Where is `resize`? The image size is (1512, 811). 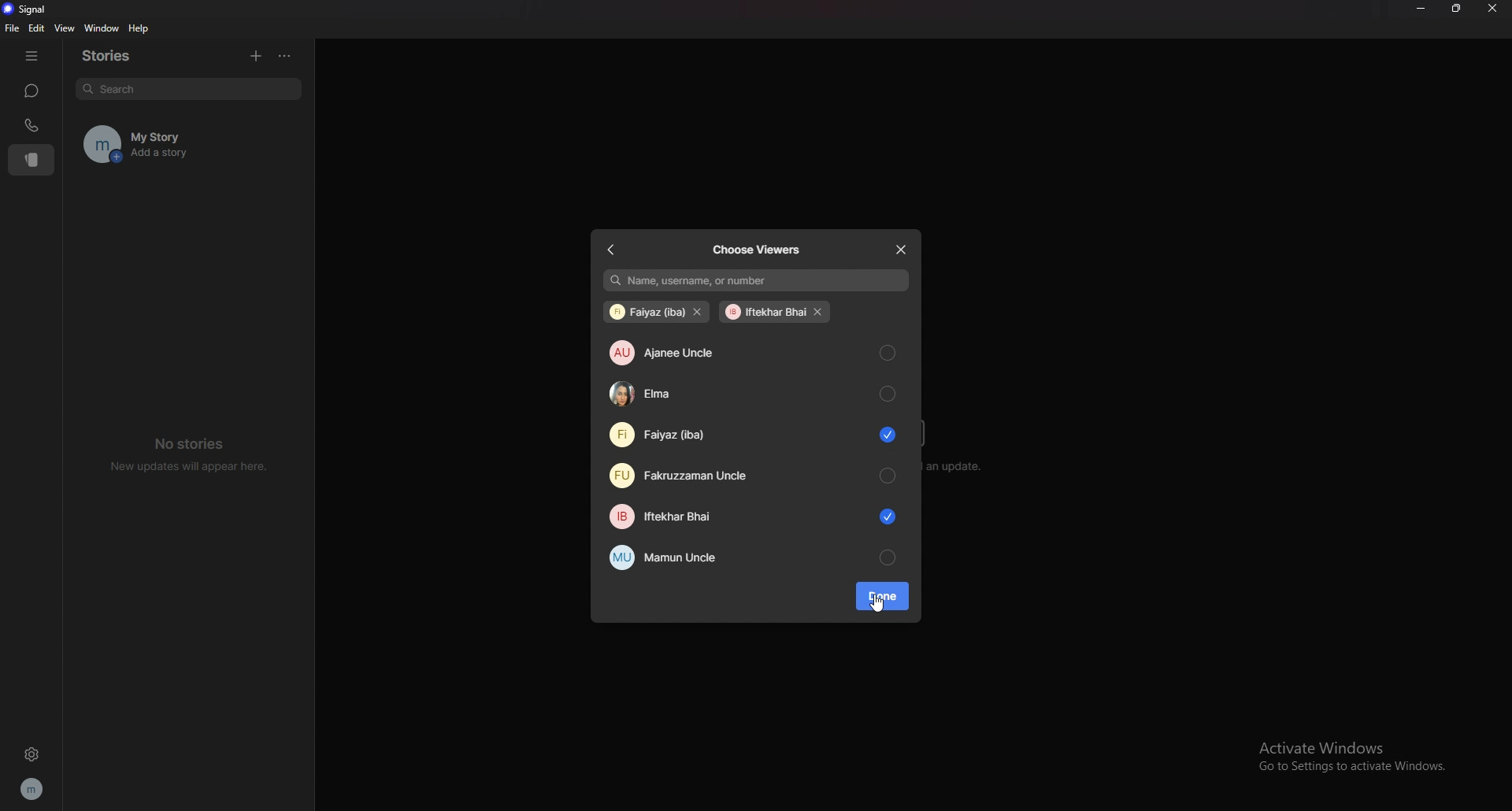 resize is located at coordinates (1456, 9).